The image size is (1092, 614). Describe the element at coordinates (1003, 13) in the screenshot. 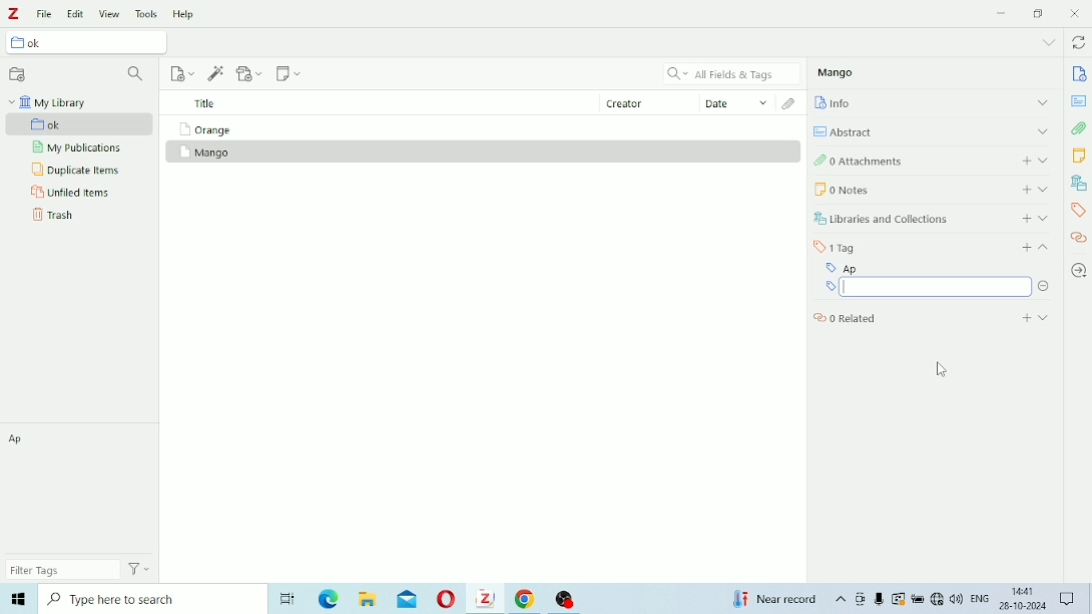

I see `Minimize` at that location.